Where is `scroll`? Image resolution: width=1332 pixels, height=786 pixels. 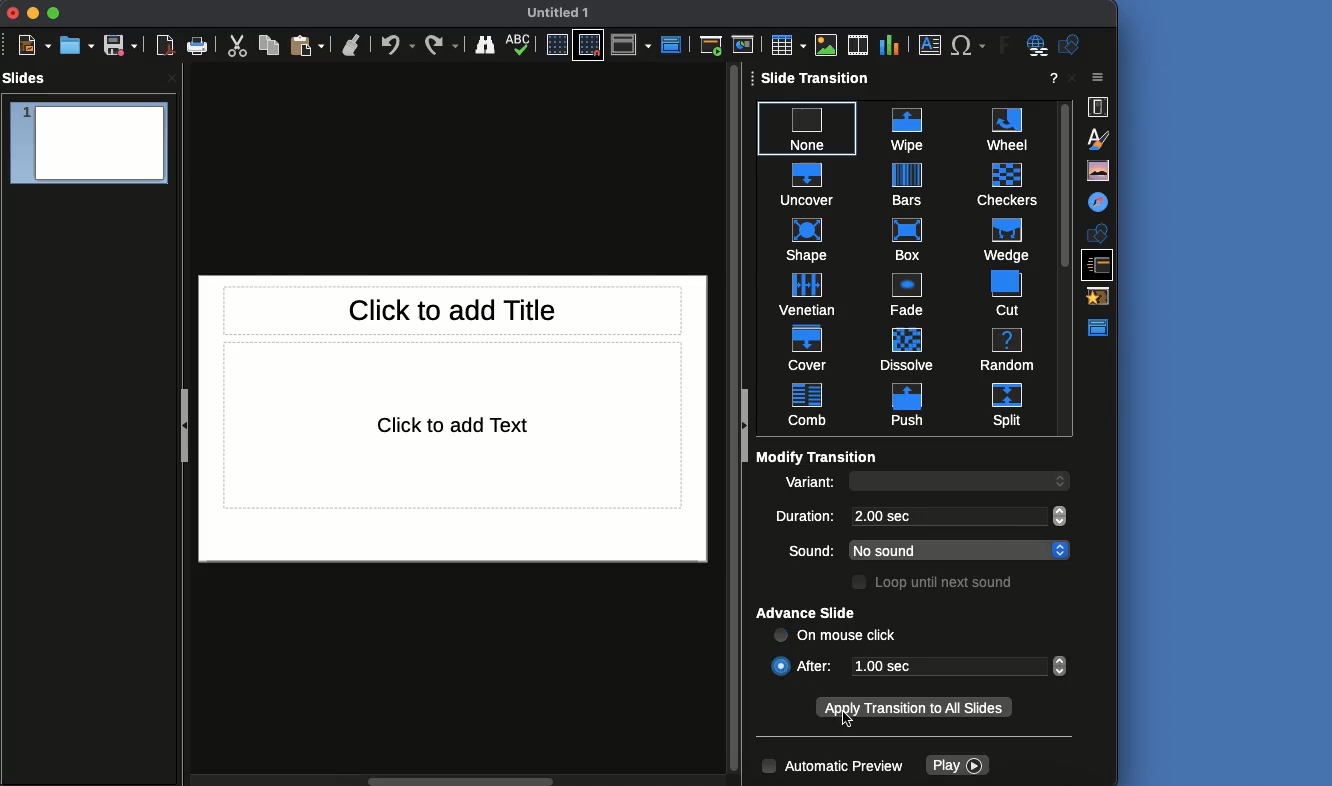 scroll is located at coordinates (732, 422).